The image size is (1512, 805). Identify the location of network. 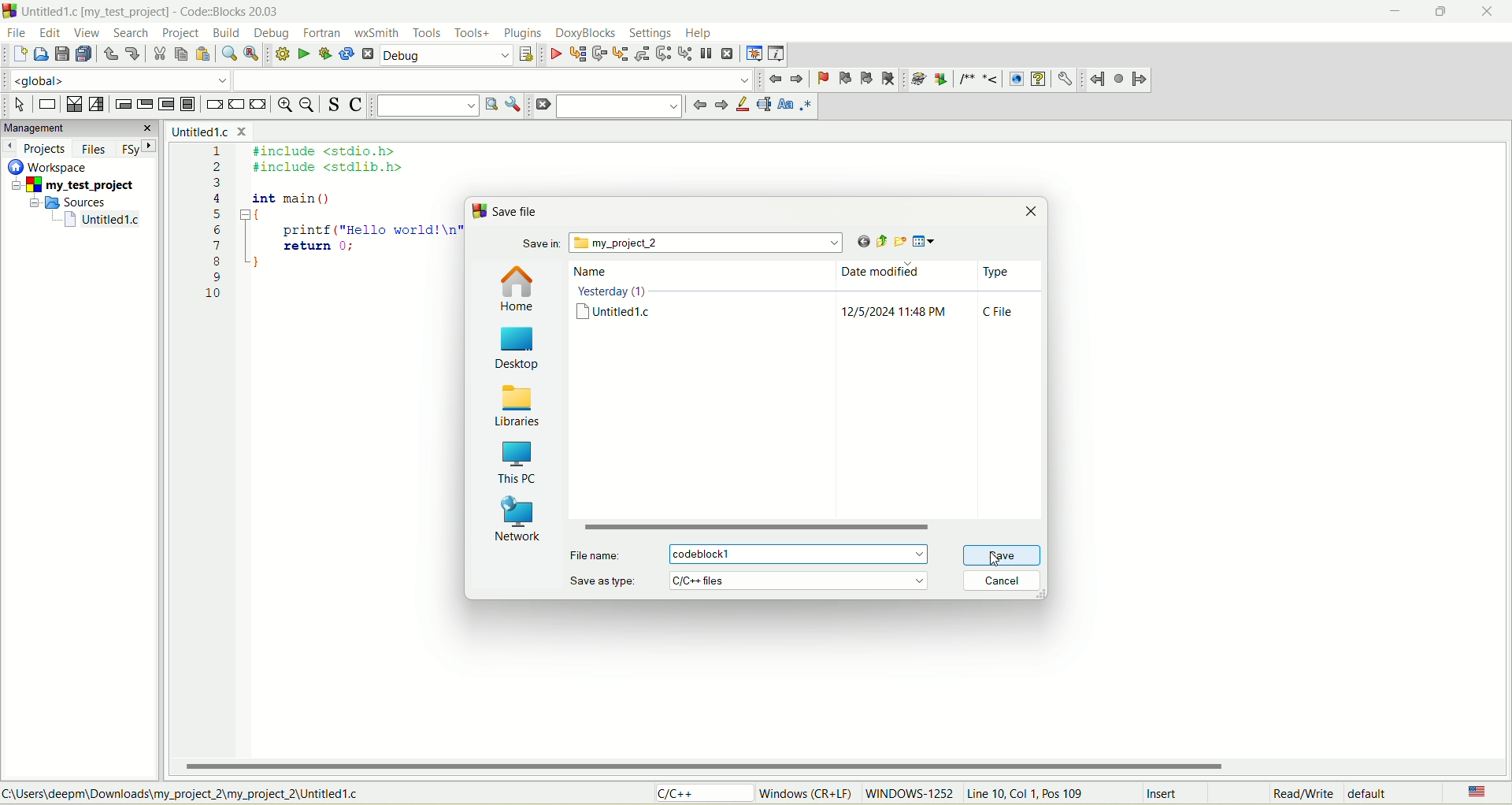
(517, 517).